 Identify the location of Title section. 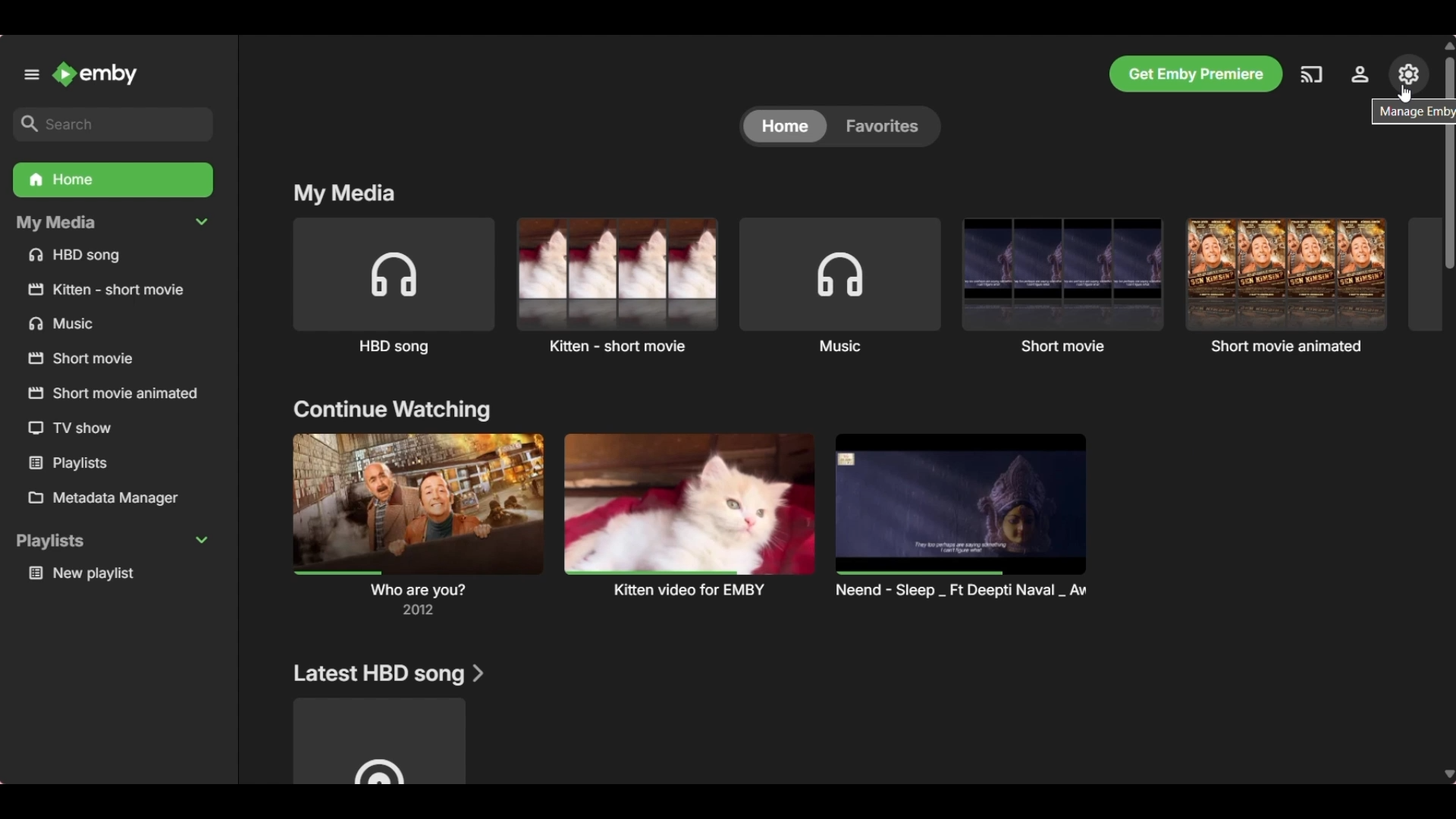
(344, 194).